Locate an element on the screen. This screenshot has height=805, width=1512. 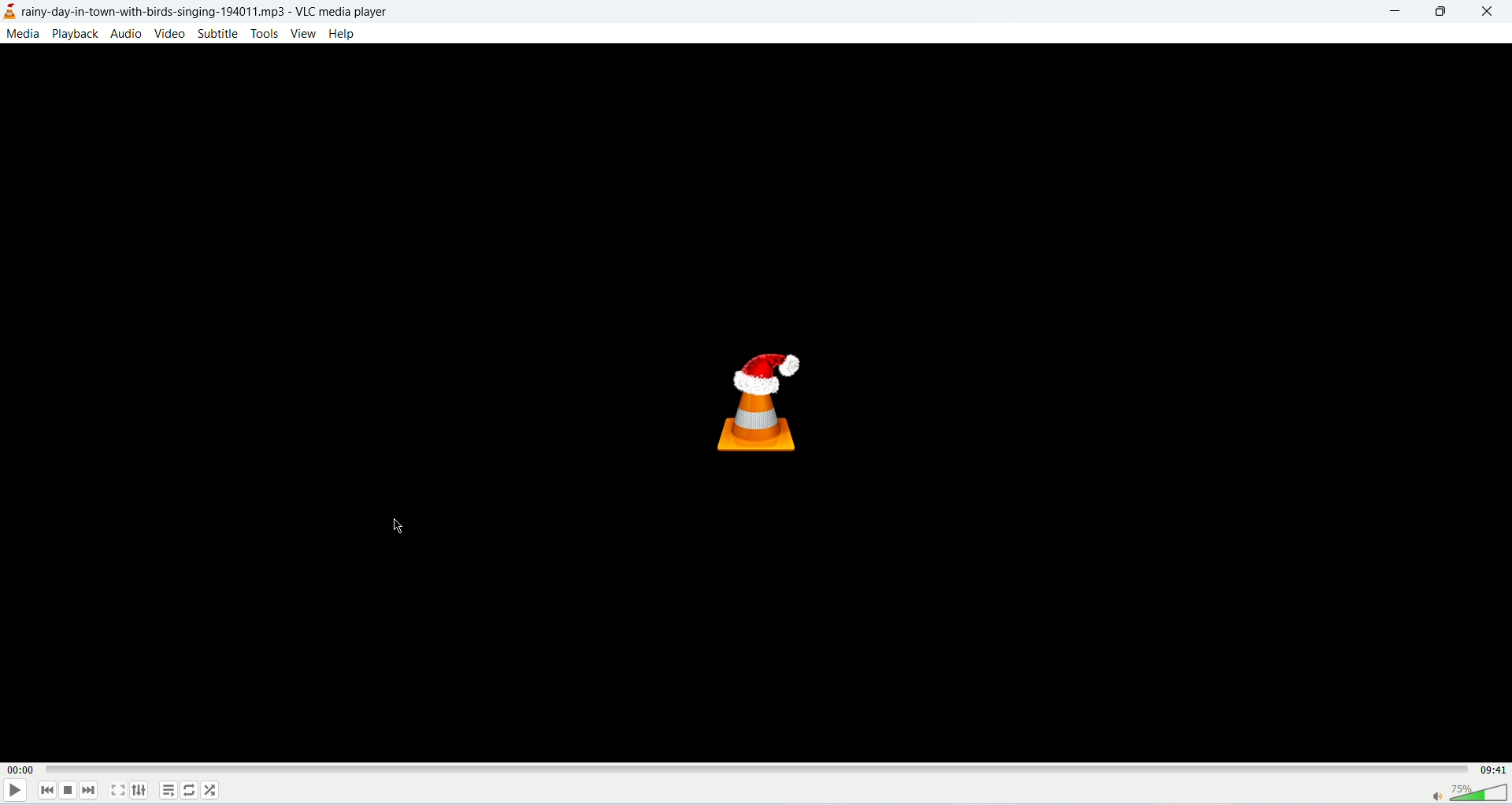
video is located at coordinates (171, 34).